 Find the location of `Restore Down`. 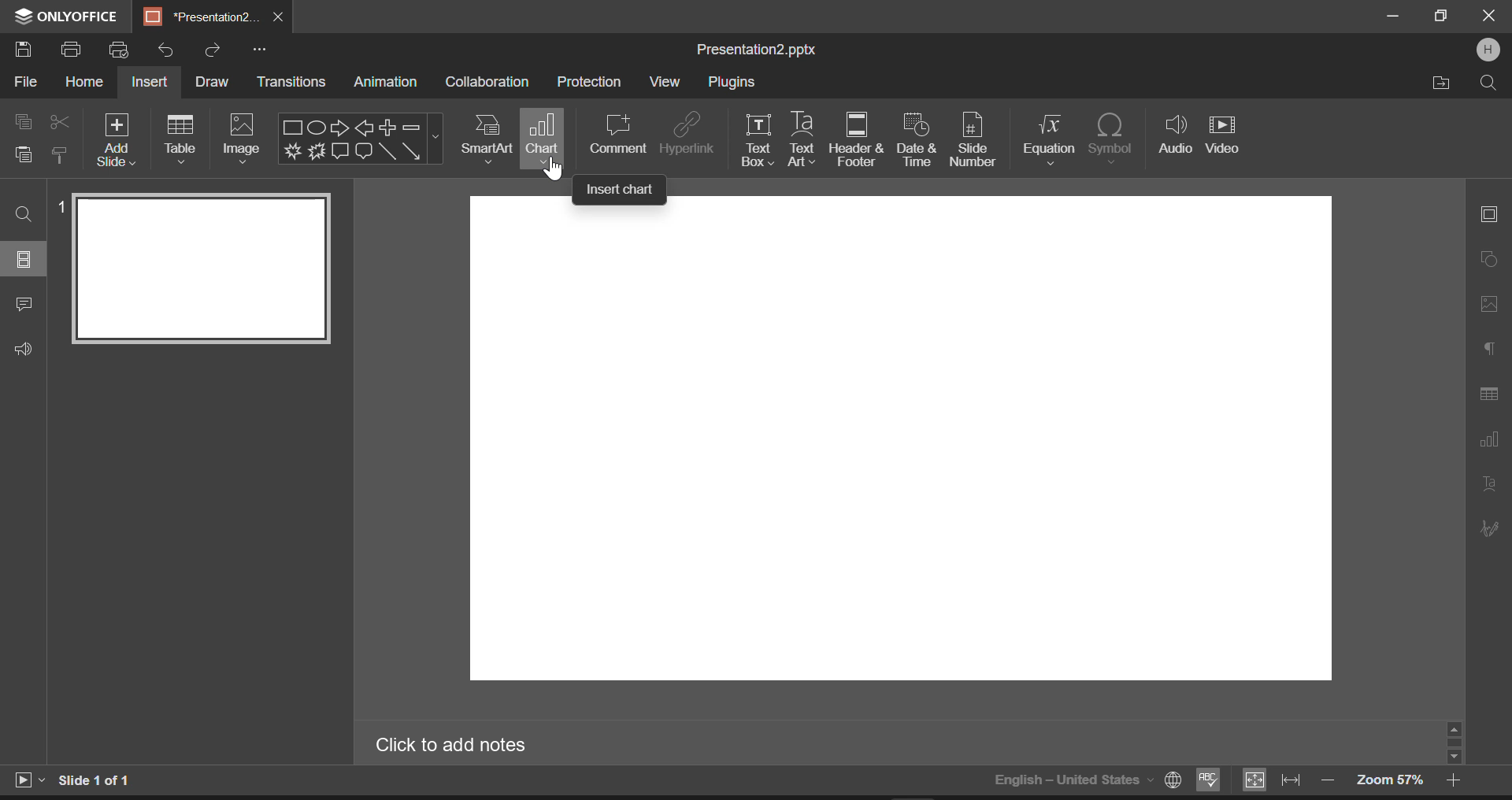

Restore Down is located at coordinates (1395, 17).